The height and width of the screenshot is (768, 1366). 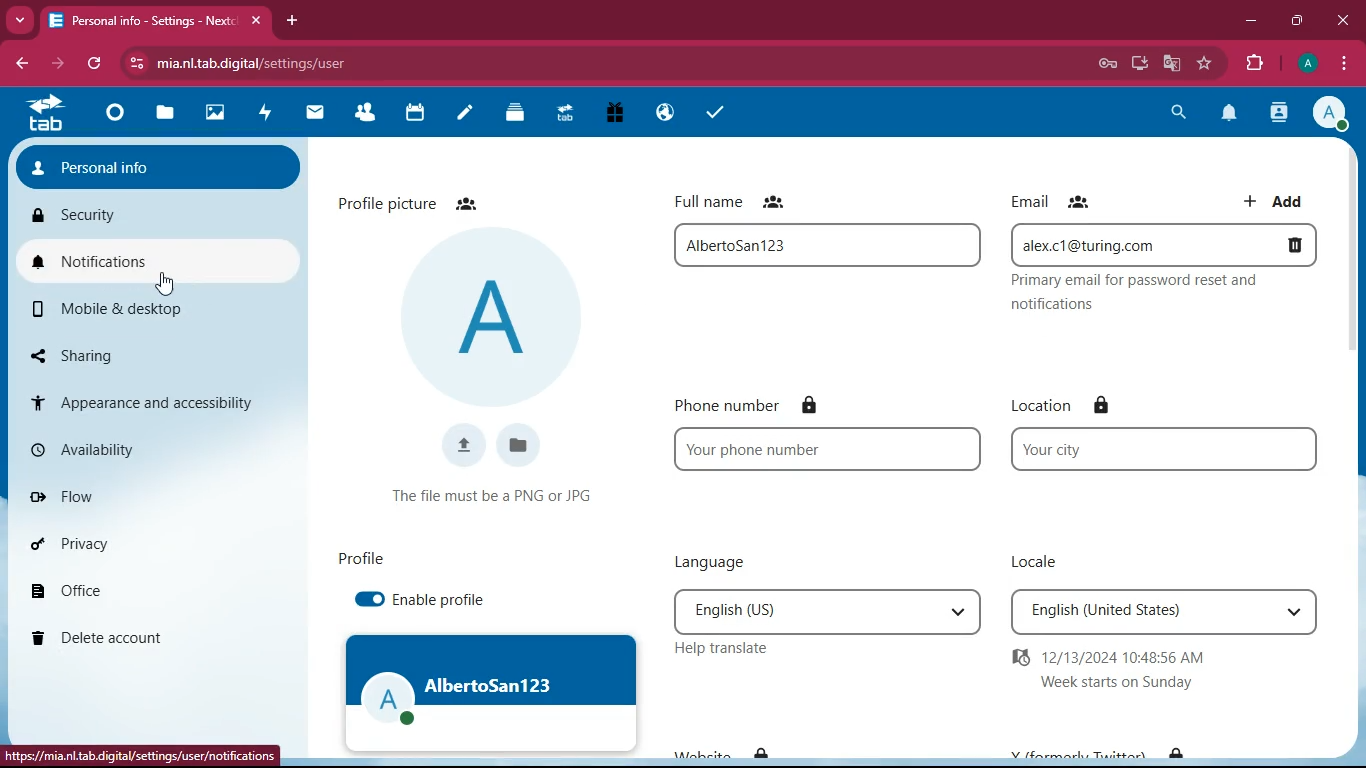 I want to click on Drop down, so click(x=21, y=21).